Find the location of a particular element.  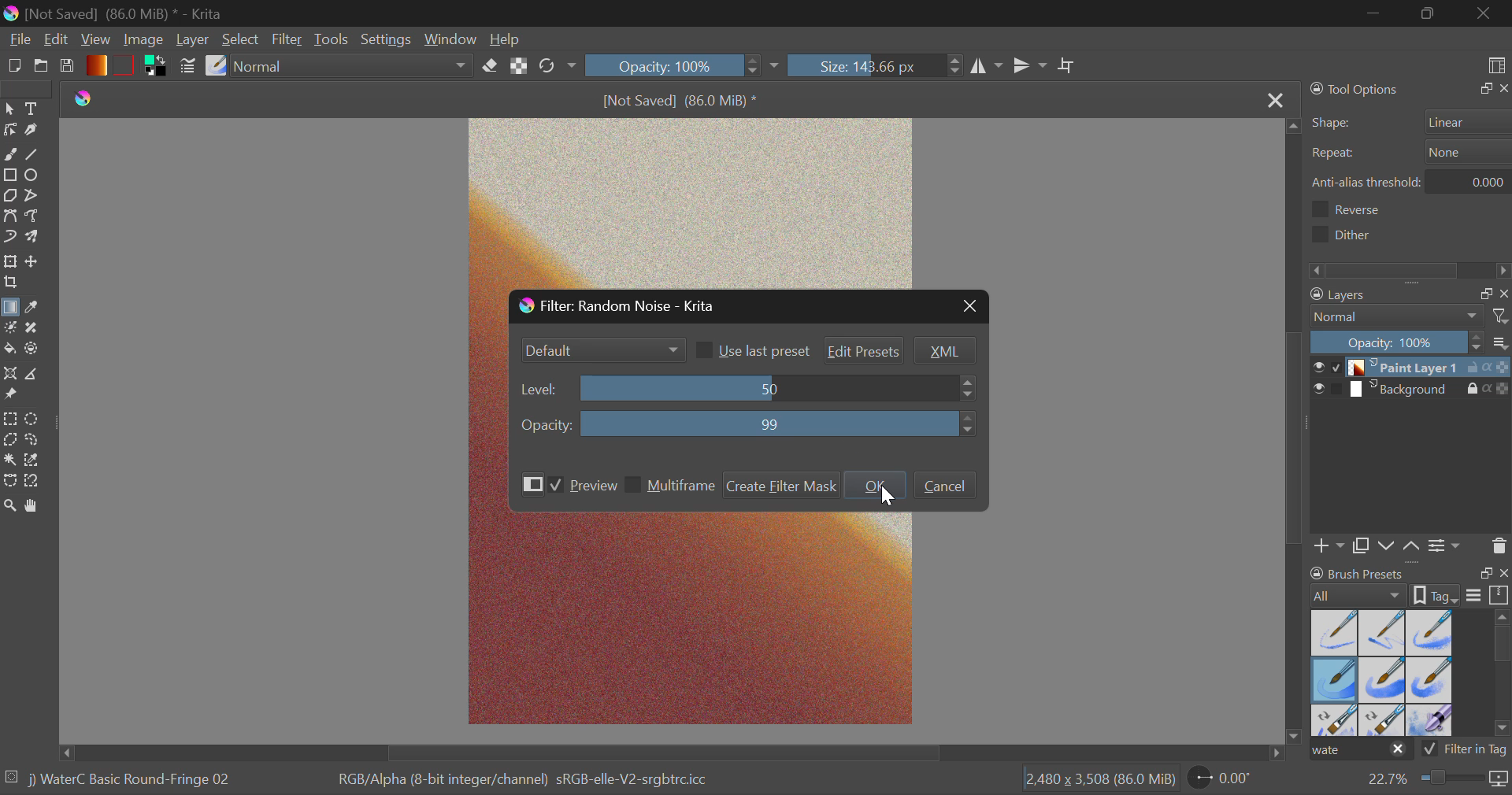

Preview is located at coordinates (584, 486).